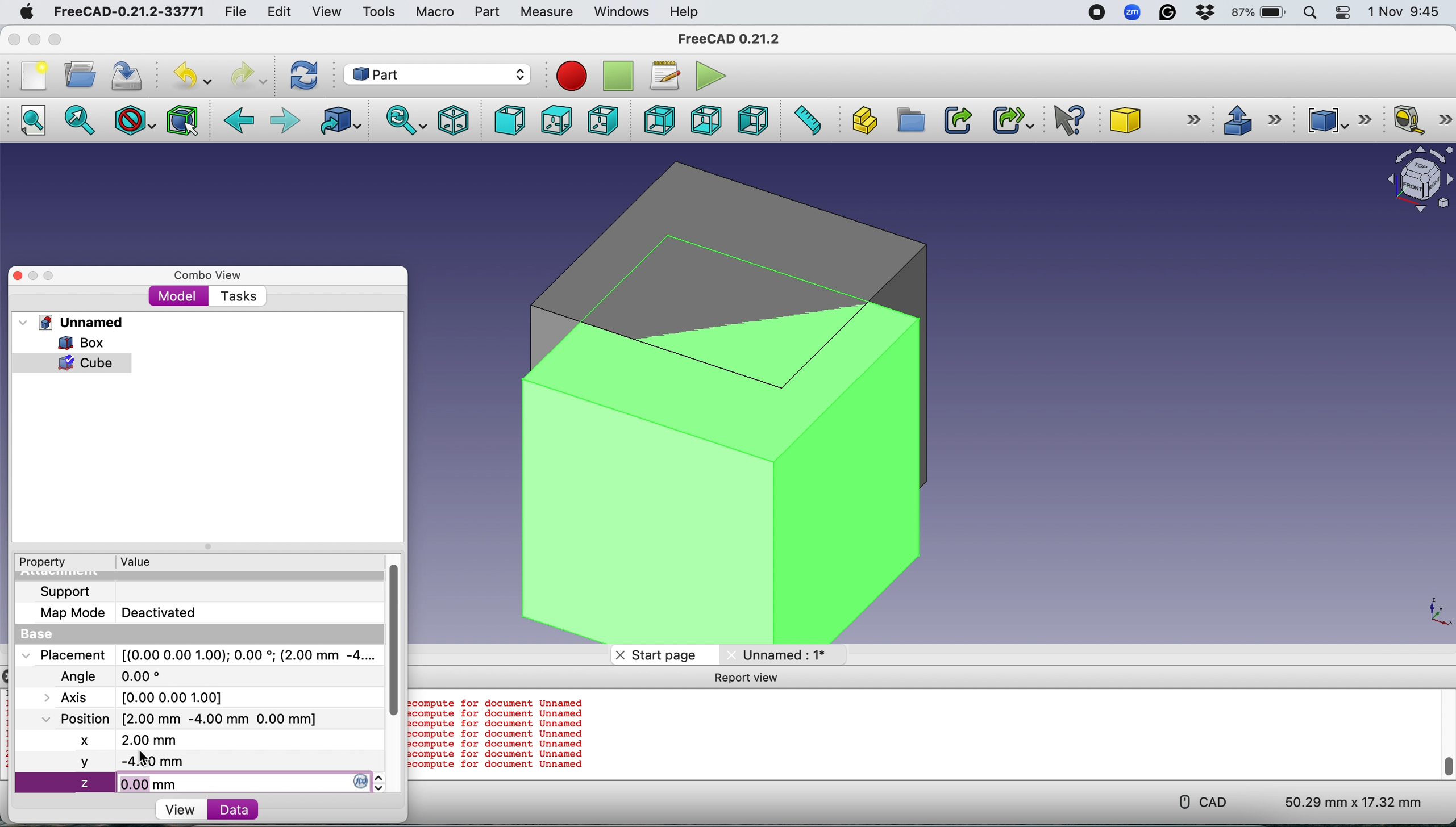 Image resolution: width=1456 pixels, height=827 pixels. I want to click on y -4.00 mm, so click(195, 760).